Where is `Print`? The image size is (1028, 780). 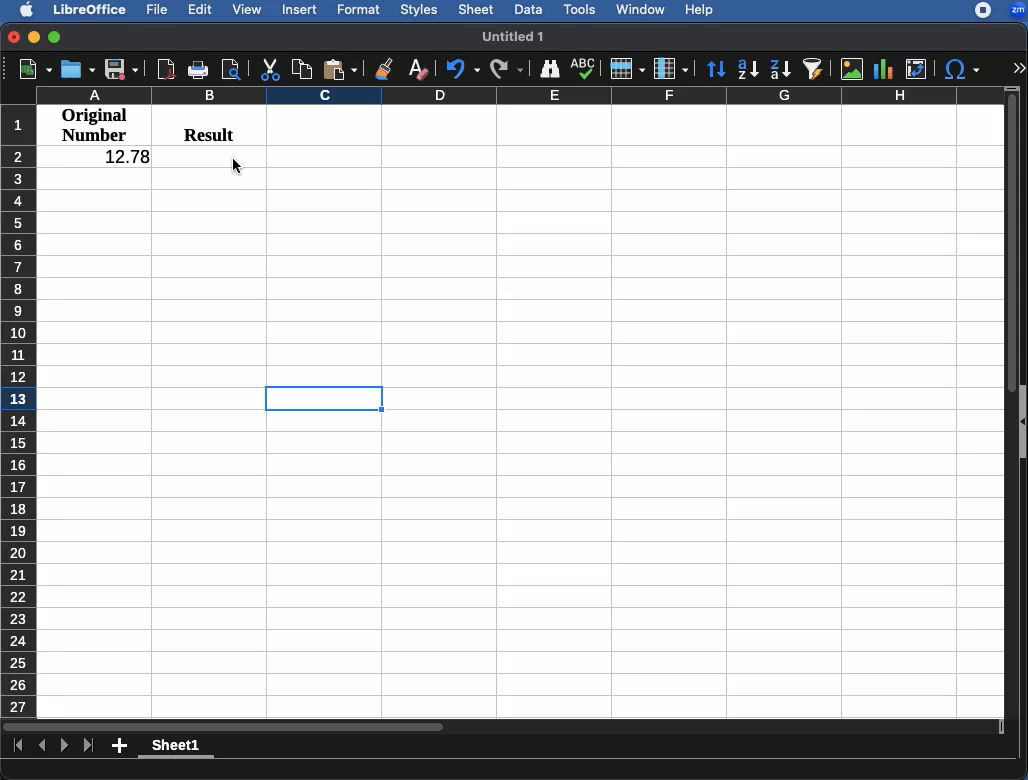 Print is located at coordinates (197, 71).